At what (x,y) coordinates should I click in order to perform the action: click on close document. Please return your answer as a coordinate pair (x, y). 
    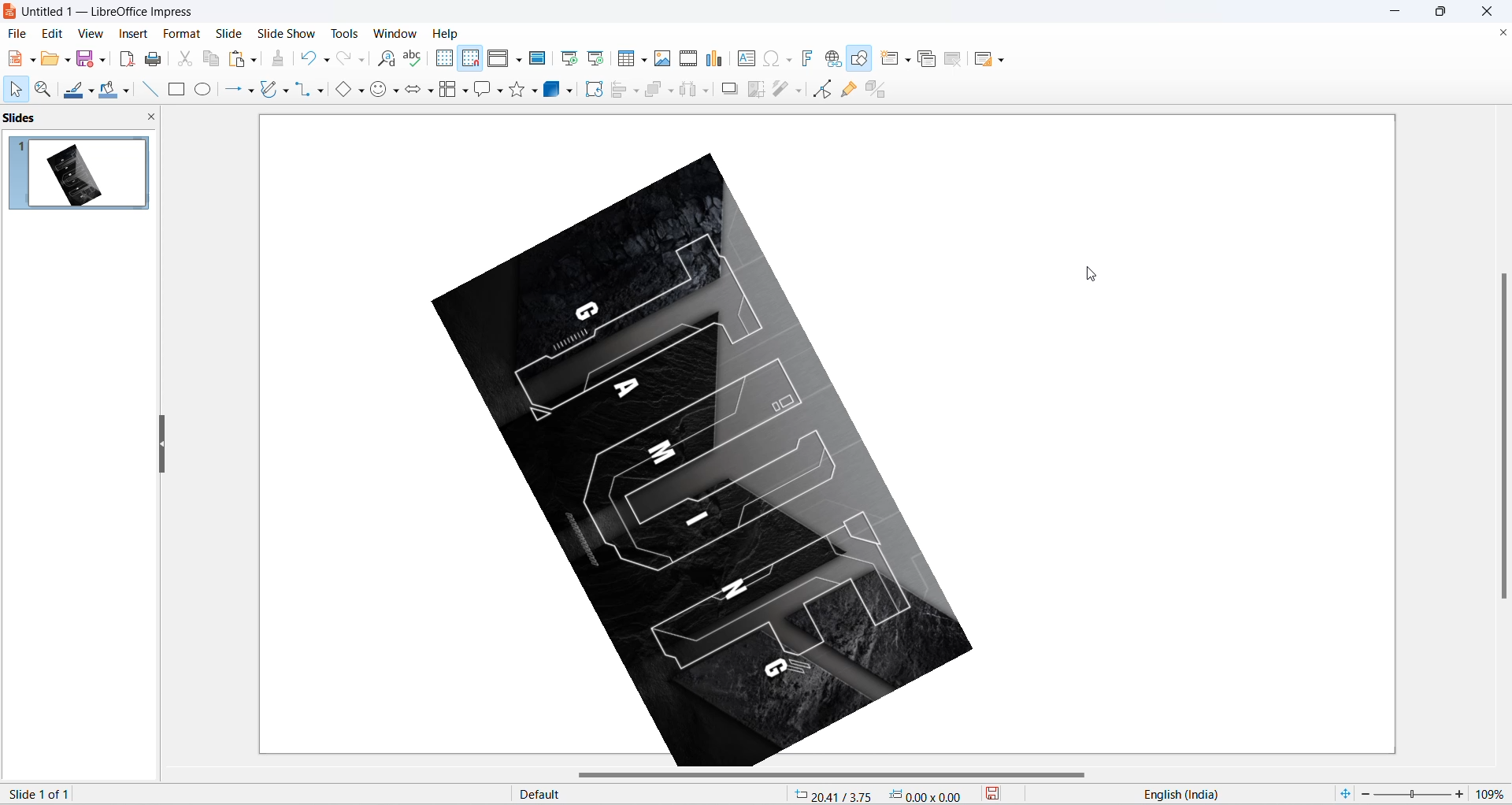
    Looking at the image, I should click on (1501, 33).